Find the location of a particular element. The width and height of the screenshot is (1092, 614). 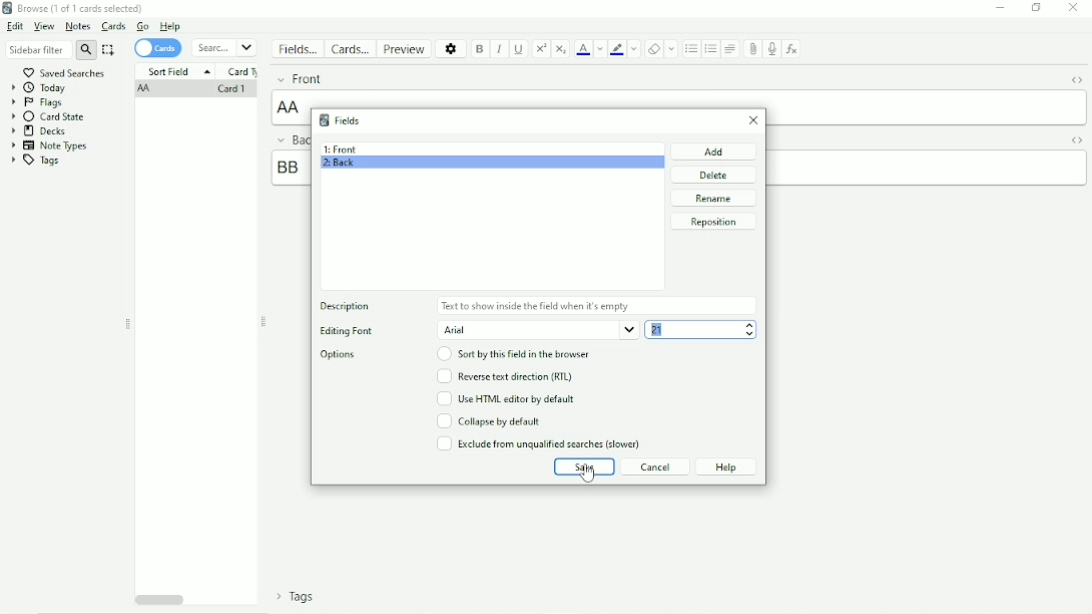

Card 1 is located at coordinates (230, 90).